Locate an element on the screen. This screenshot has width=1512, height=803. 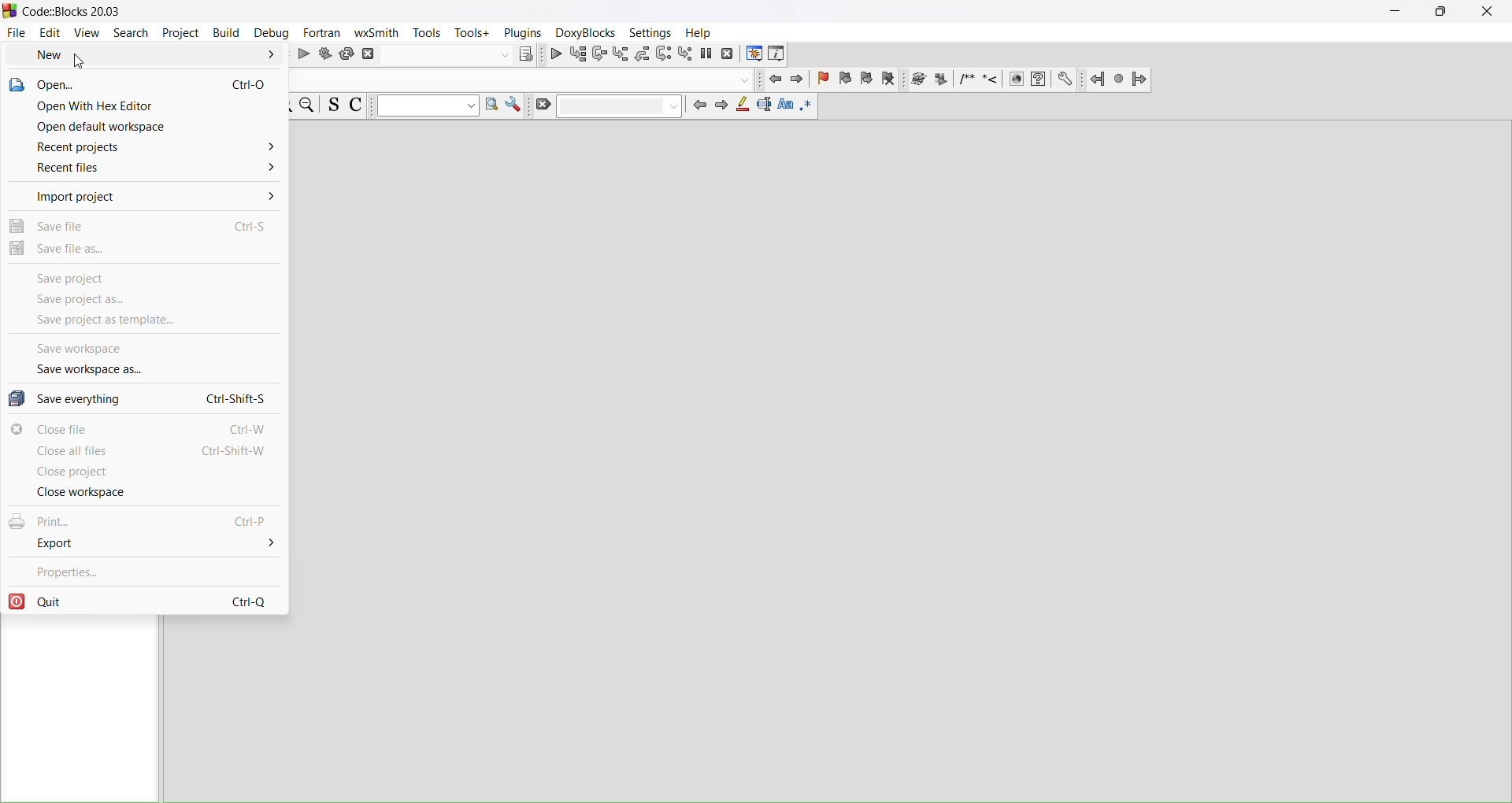
run to cursor is located at coordinates (579, 54).